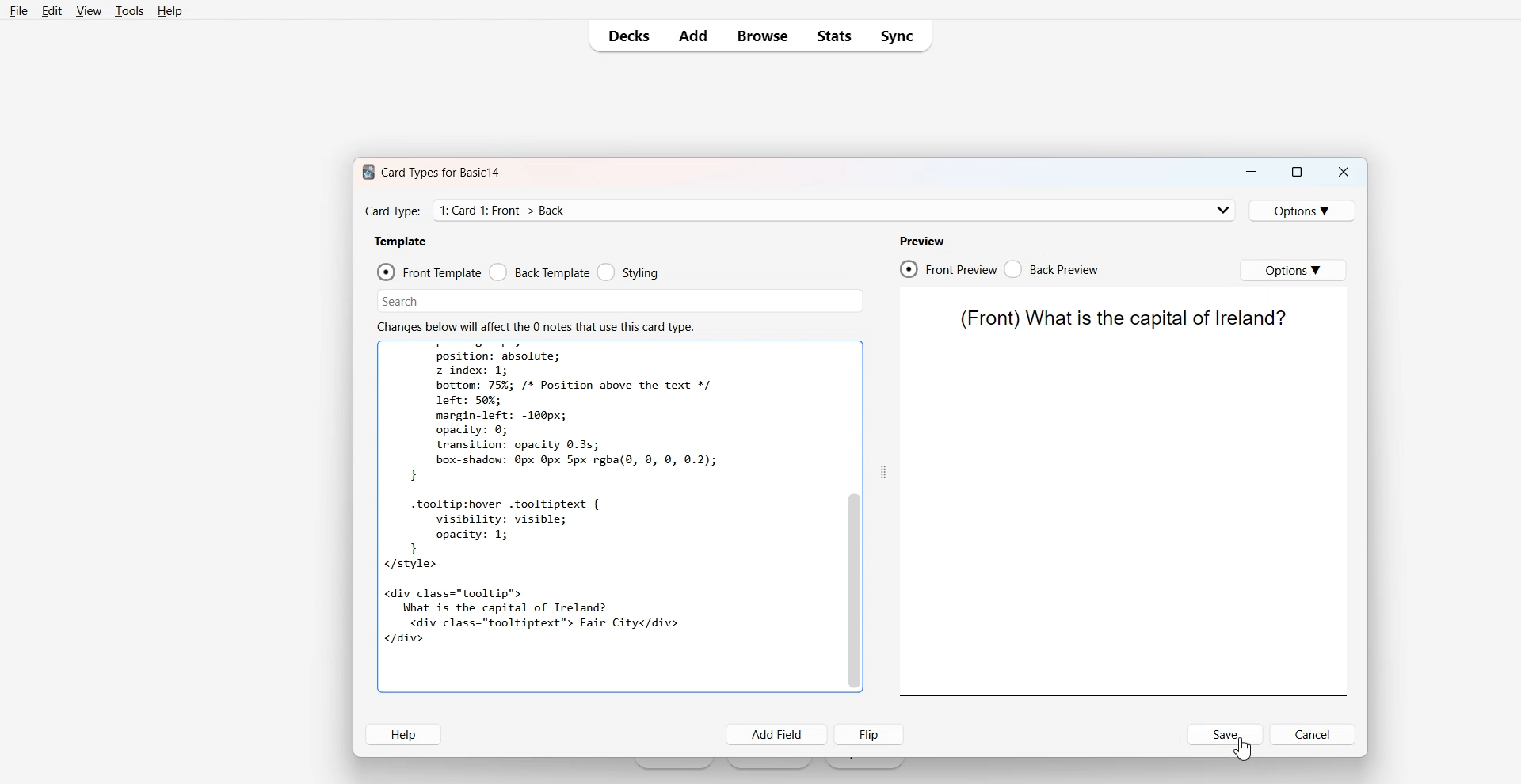 The image size is (1521, 784). Describe the element at coordinates (624, 36) in the screenshot. I see `Decks` at that location.